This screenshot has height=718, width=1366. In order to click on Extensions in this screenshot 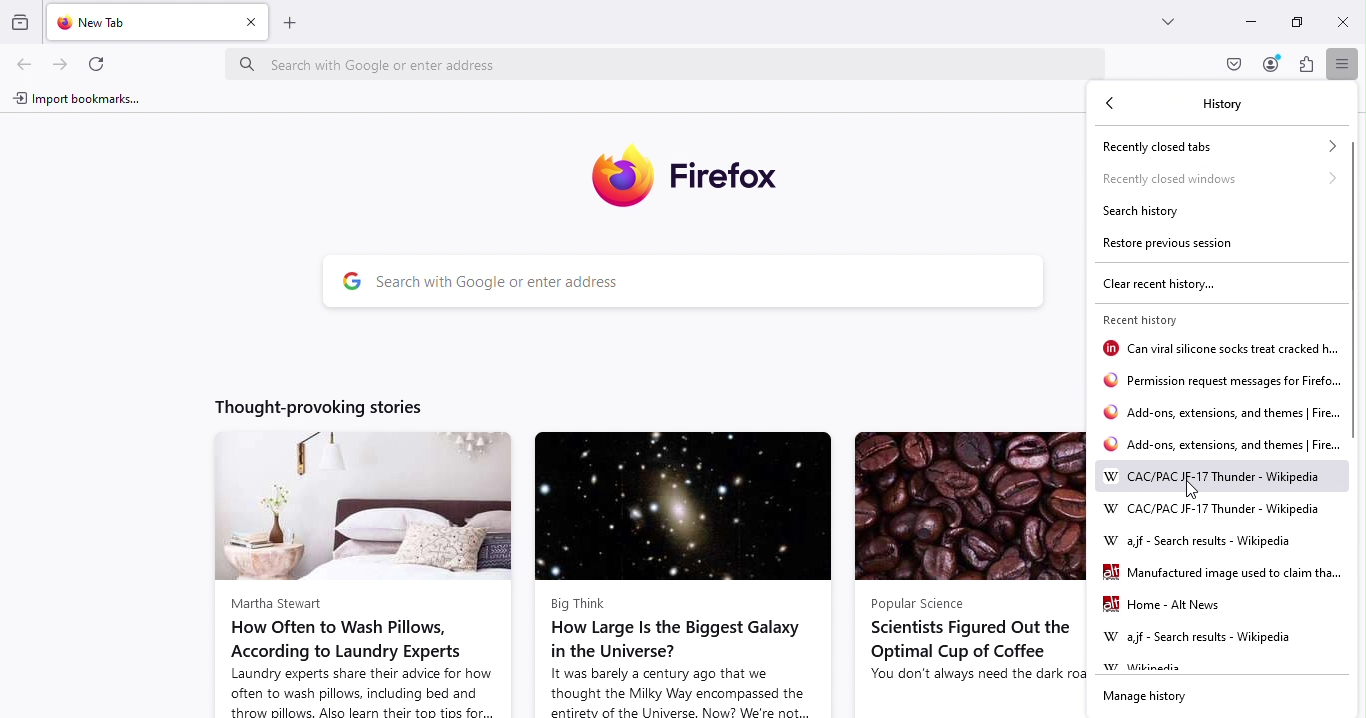, I will do `click(1306, 67)`.